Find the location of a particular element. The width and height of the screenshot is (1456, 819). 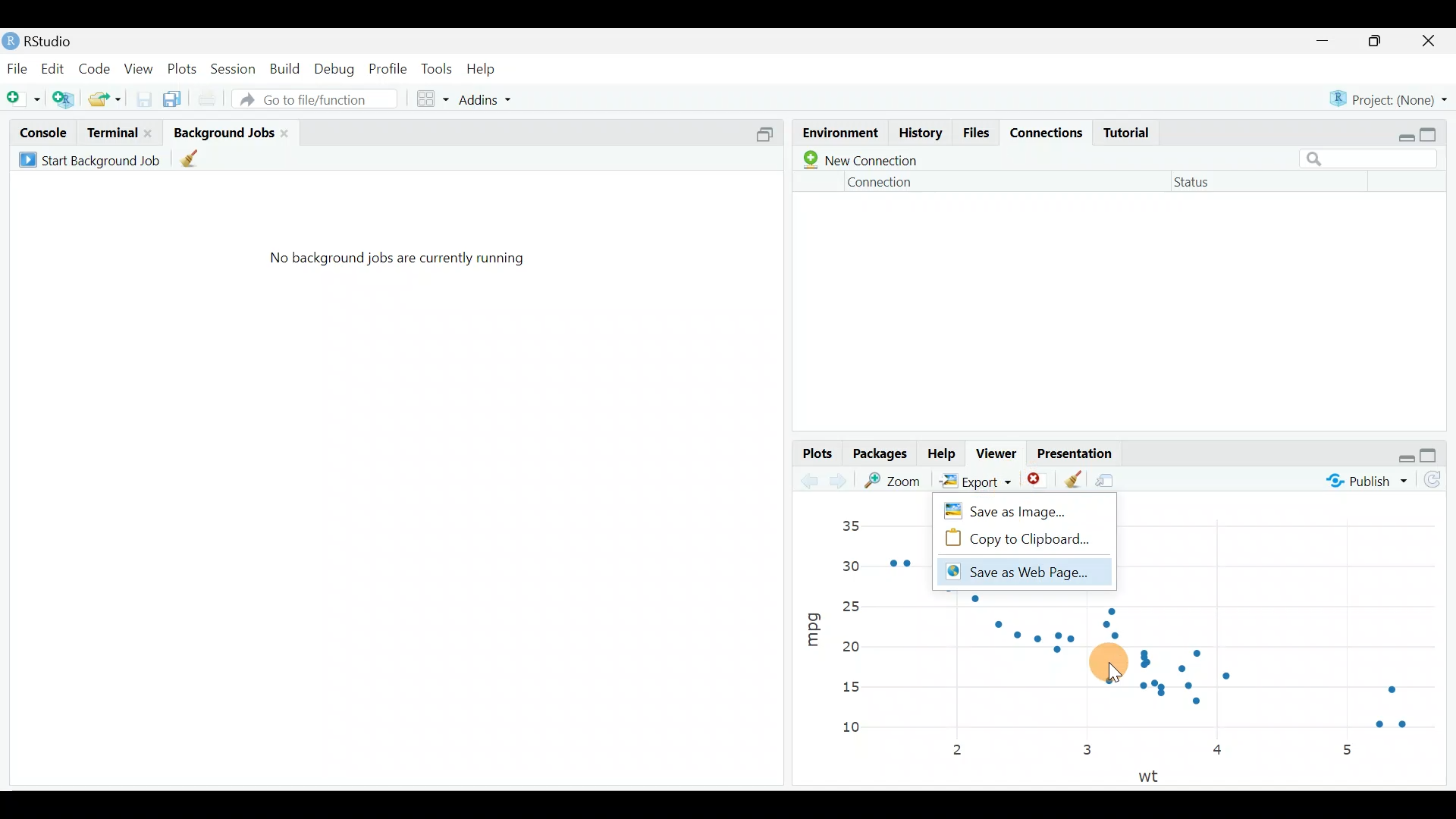

Start background job is located at coordinates (93, 158).